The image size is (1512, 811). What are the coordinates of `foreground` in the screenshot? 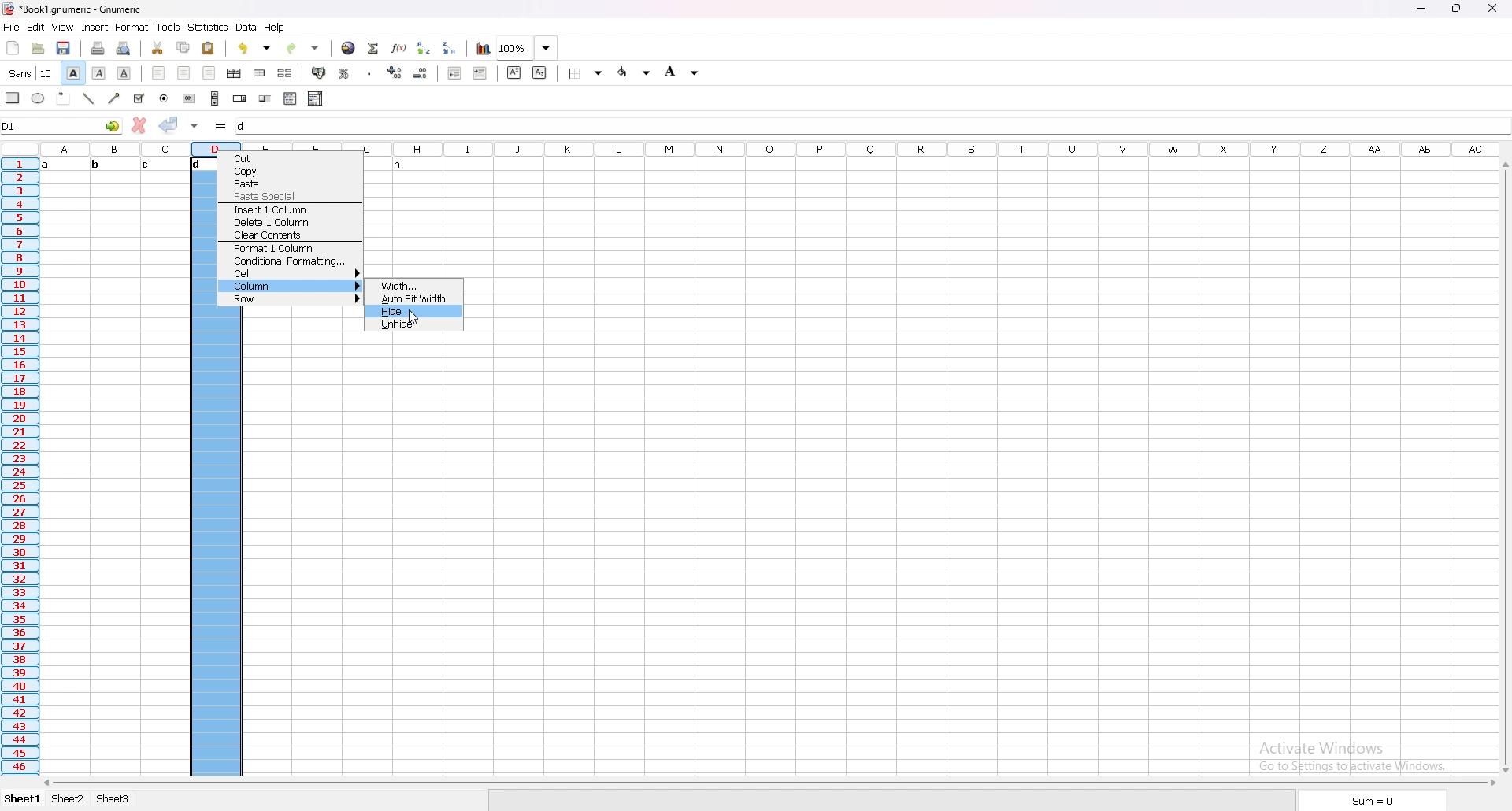 It's located at (635, 72).